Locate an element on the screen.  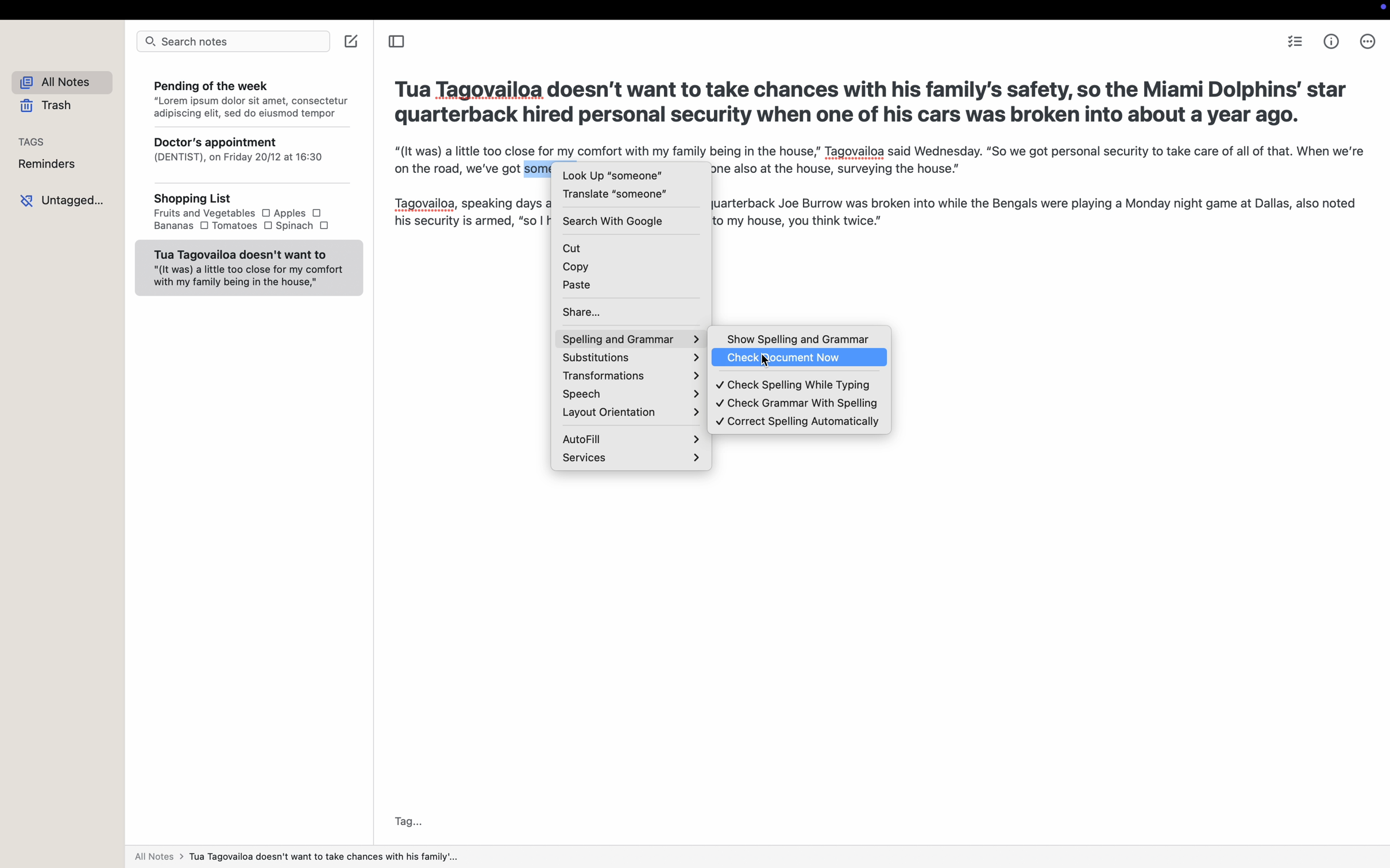
check spelling while typing is located at coordinates (798, 384).